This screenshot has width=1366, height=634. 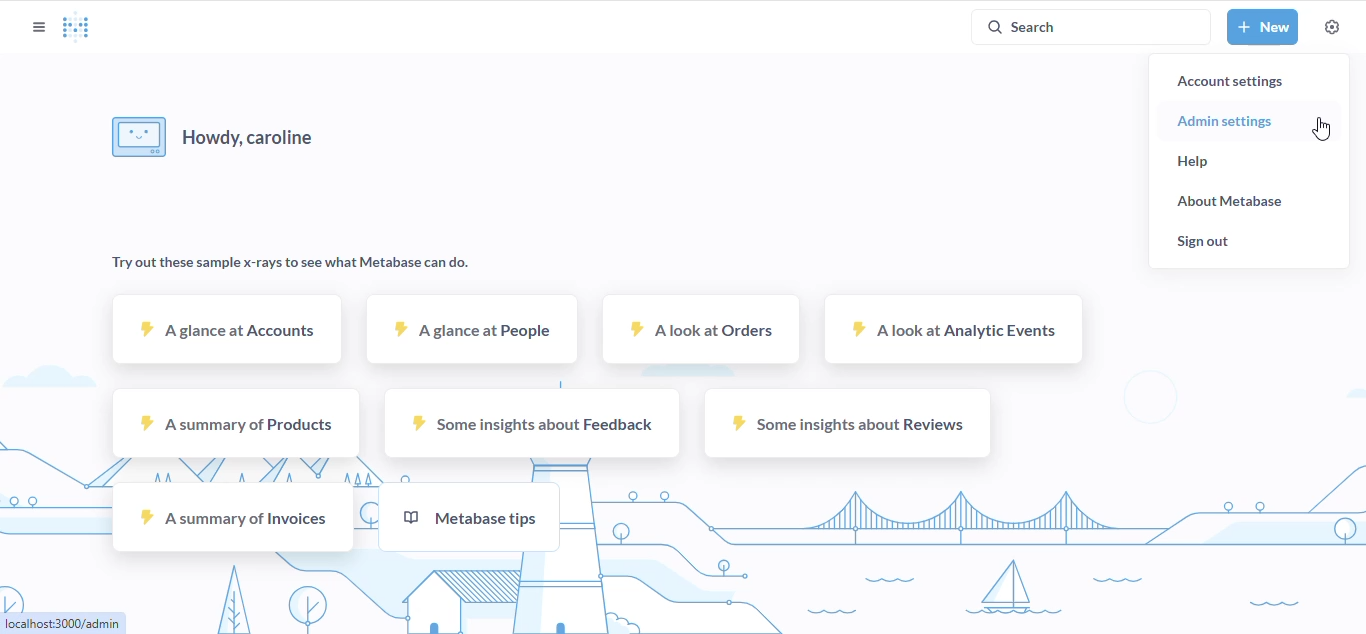 I want to click on sign out, so click(x=1203, y=241).